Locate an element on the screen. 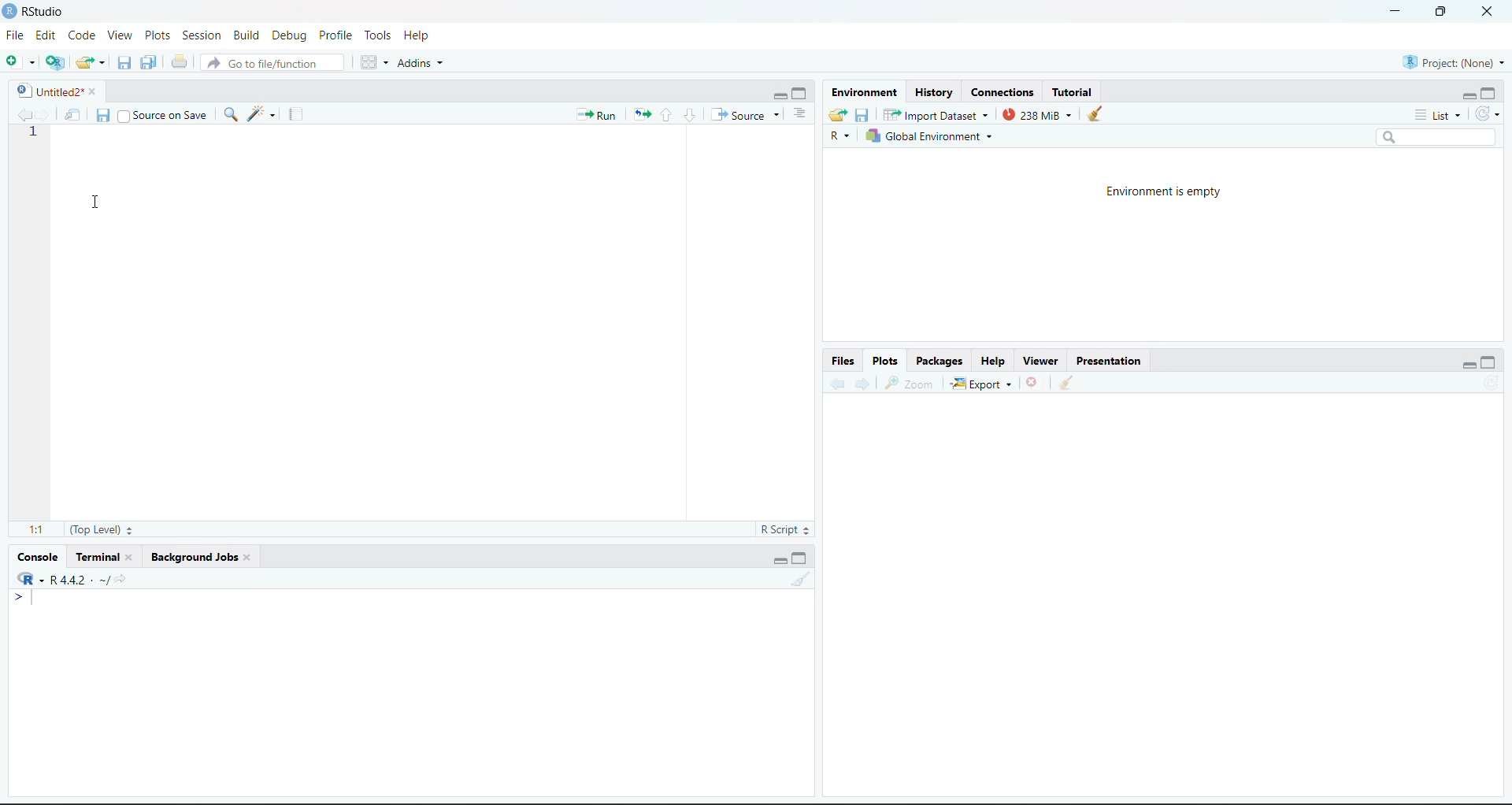  Profile is located at coordinates (337, 35).